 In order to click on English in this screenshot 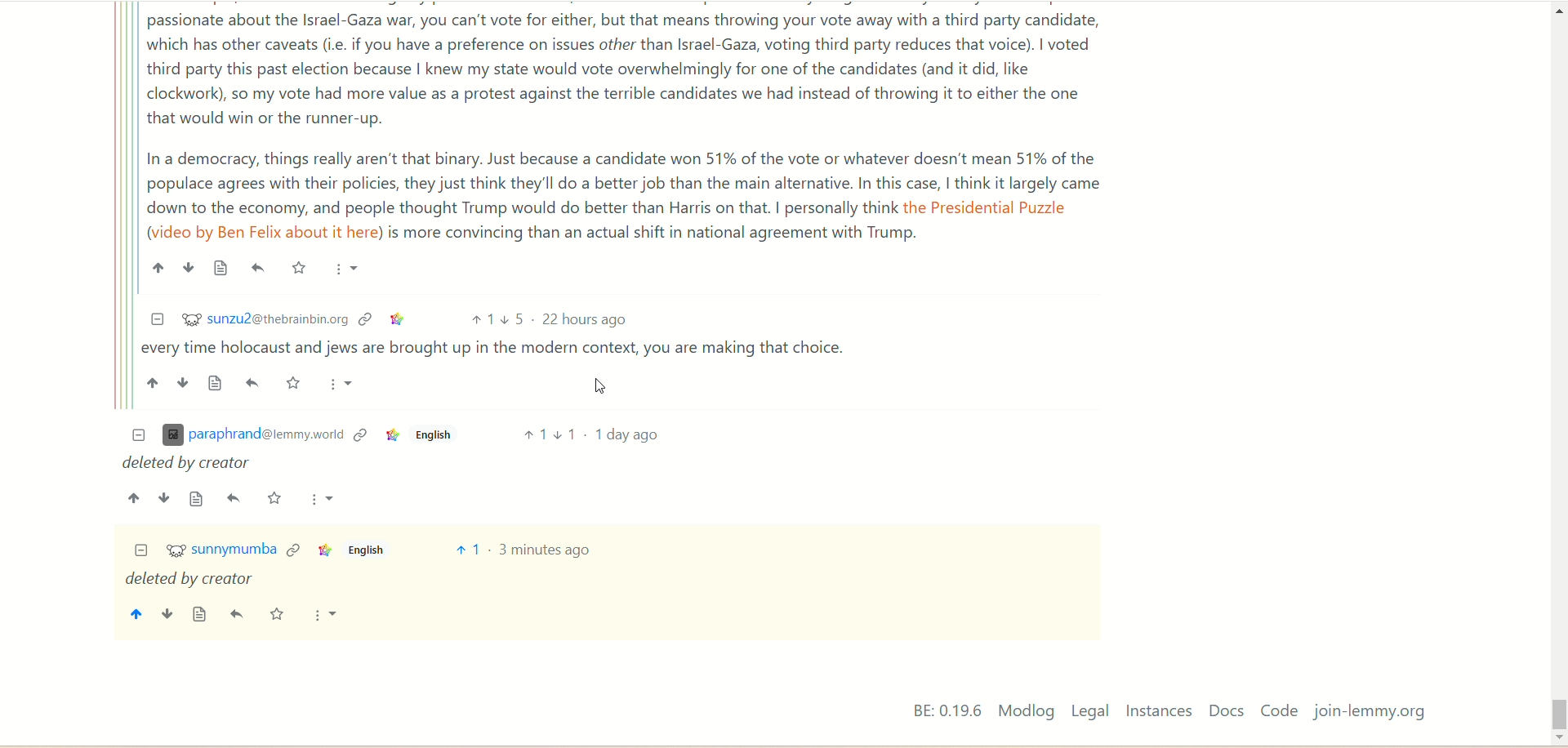, I will do `click(365, 550)`.